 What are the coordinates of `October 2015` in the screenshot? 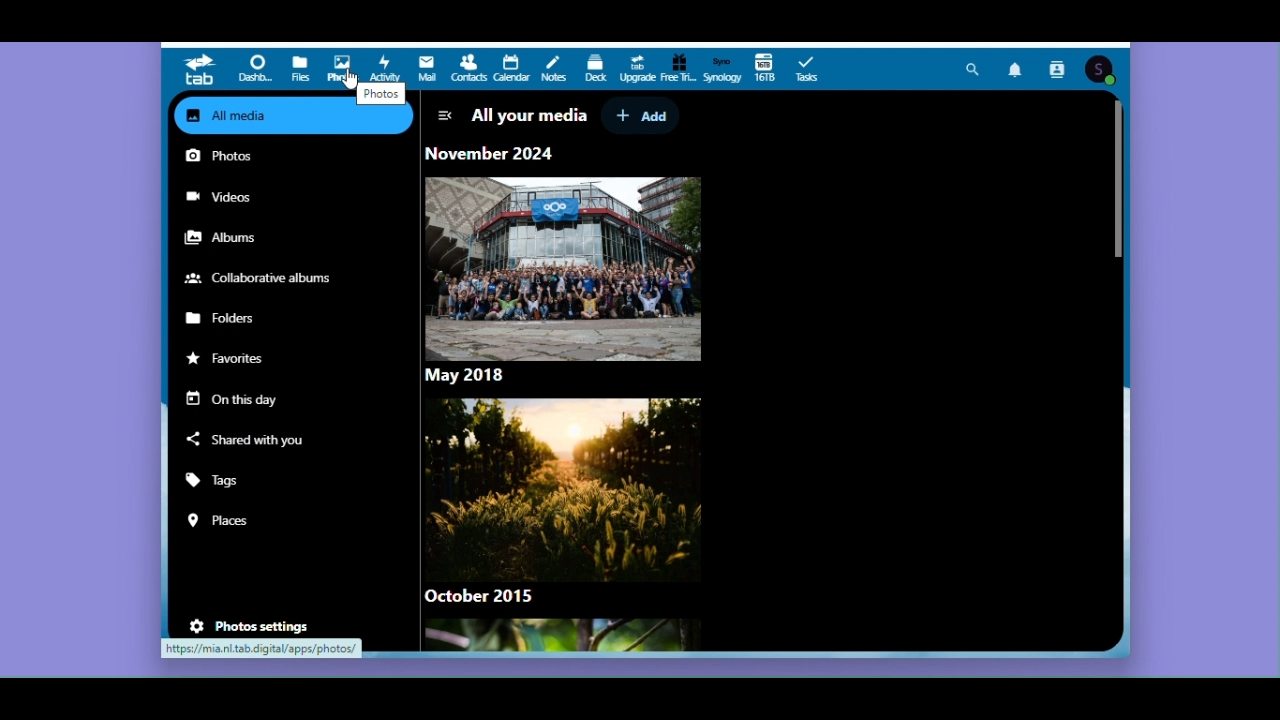 It's located at (489, 596).